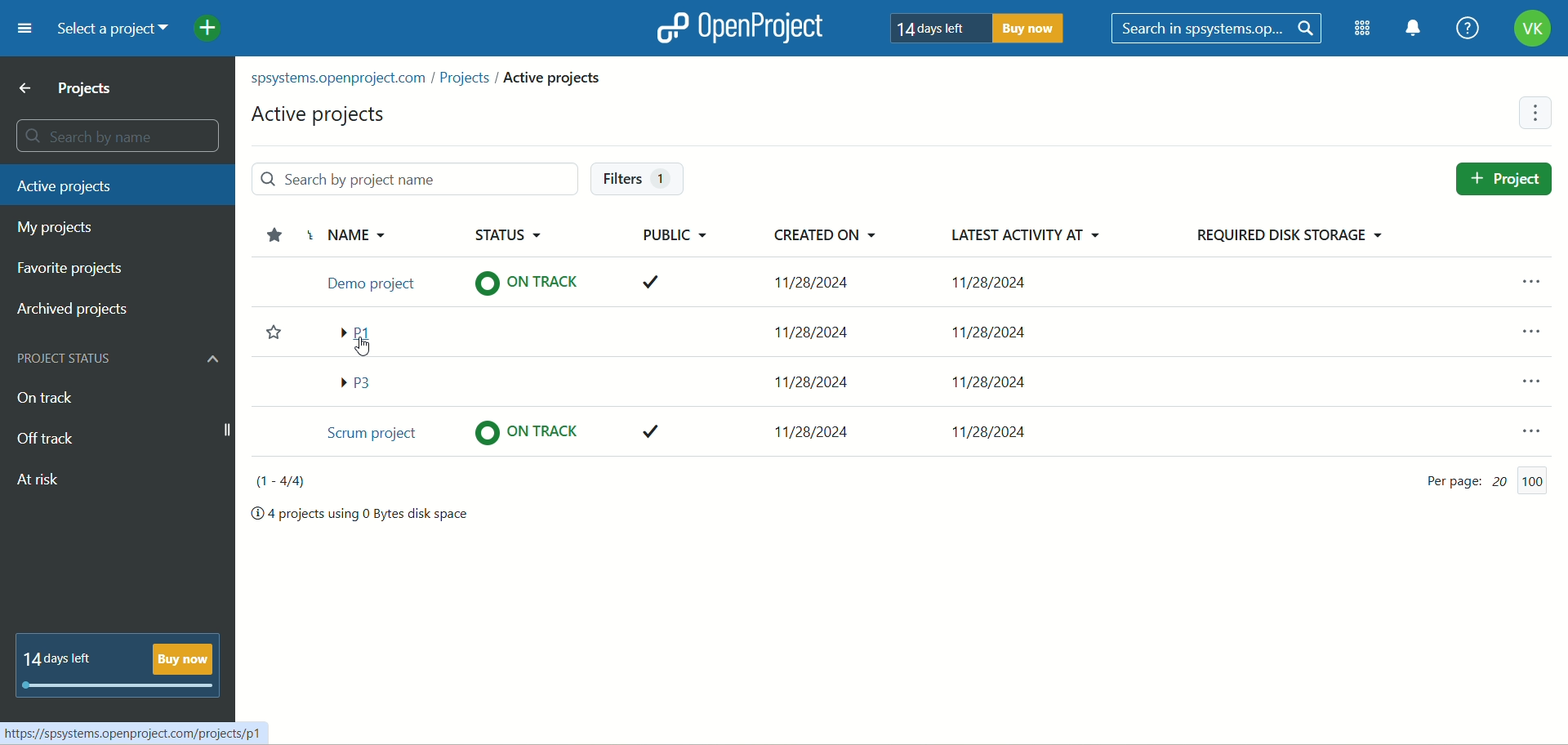 The height and width of the screenshot is (745, 1568). I want to click on P3, so click(361, 381).